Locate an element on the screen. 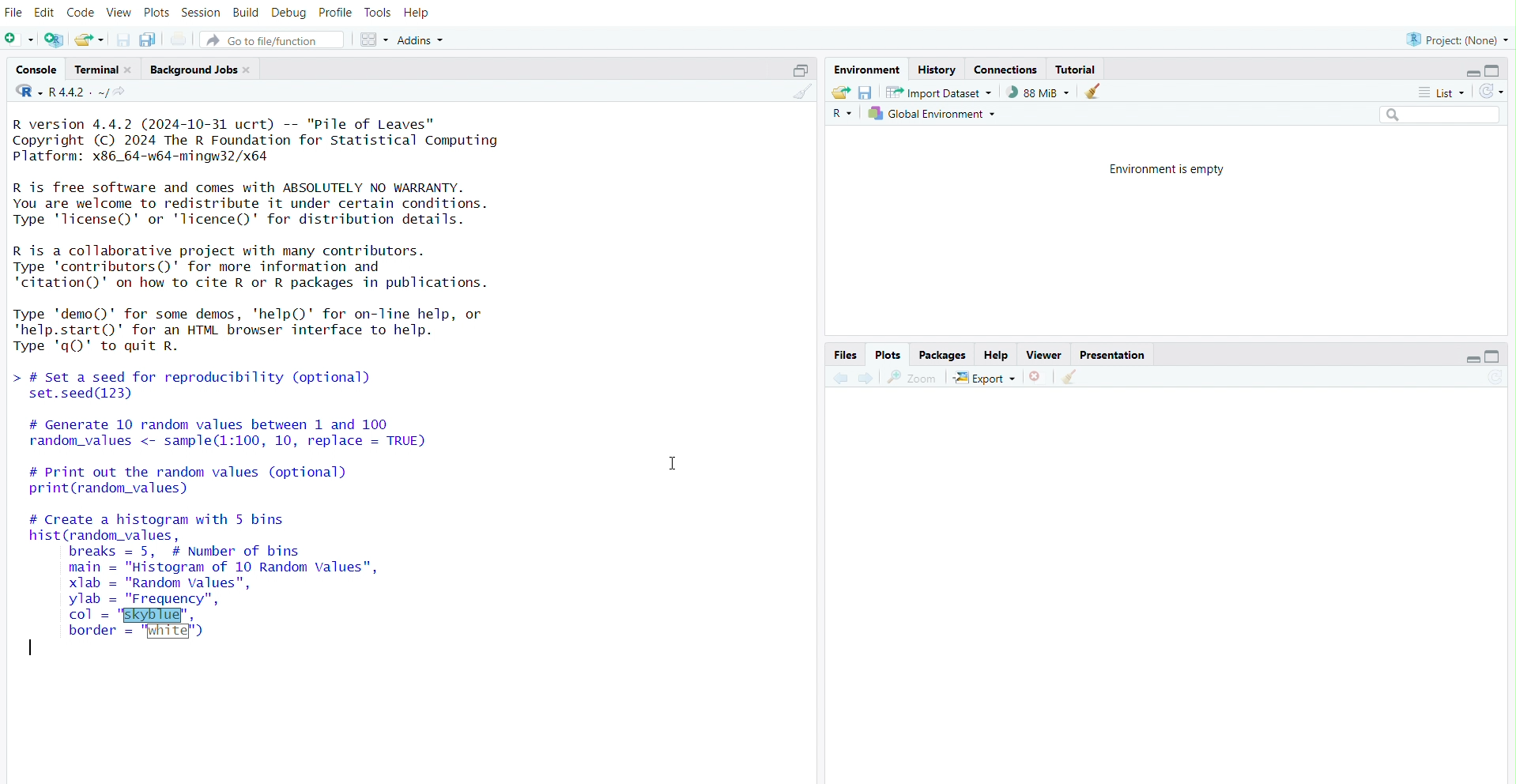 The image size is (1516, 784). load workspace is located at coordinates (839, 92).